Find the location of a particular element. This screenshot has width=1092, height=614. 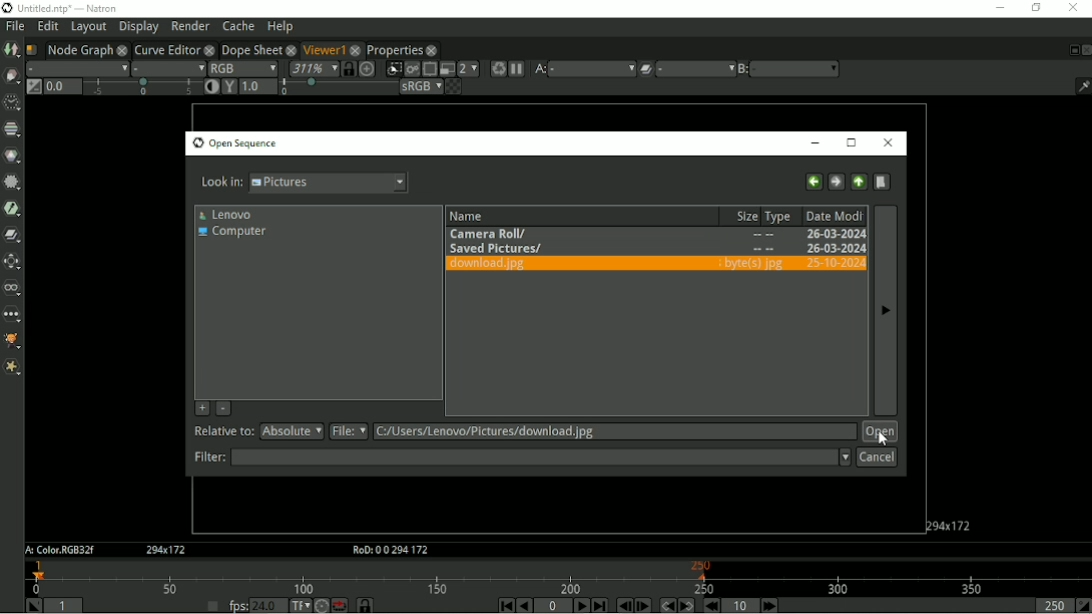

Views is located at coordinates (12, 288).